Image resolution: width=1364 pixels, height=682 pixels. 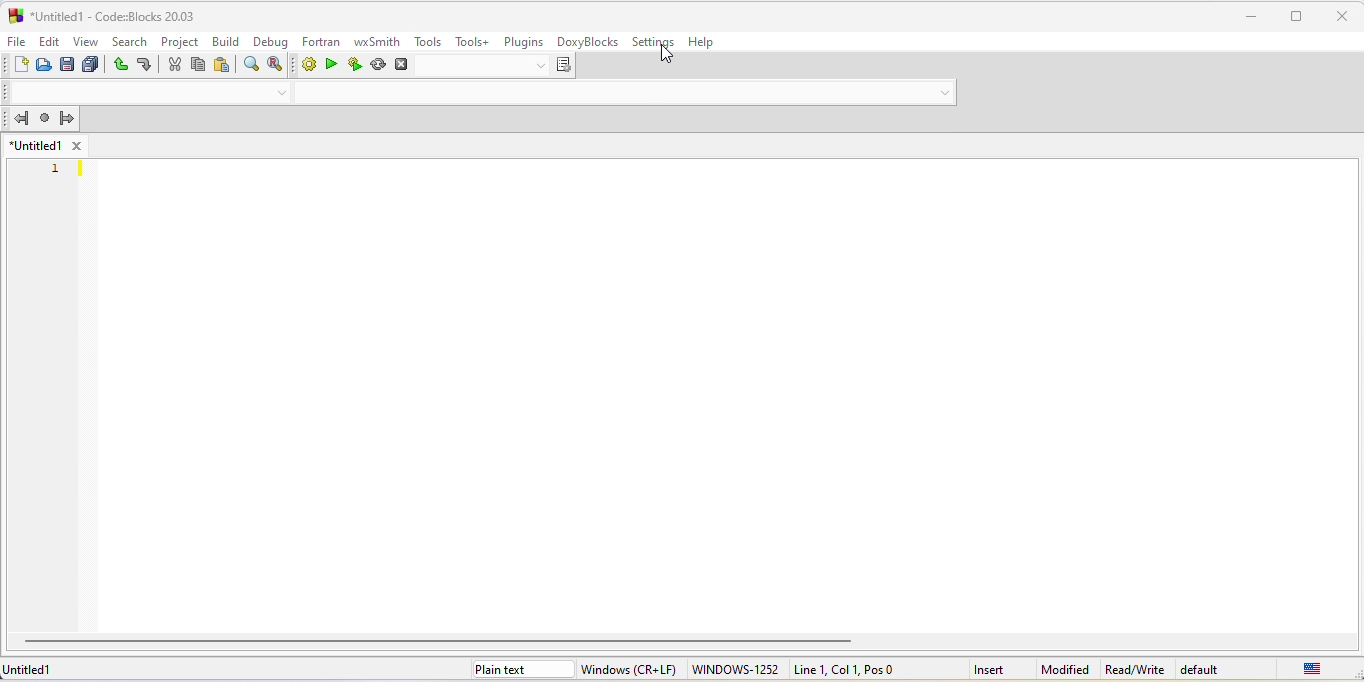 I want to click on save everything, so click(x=91, y=65).